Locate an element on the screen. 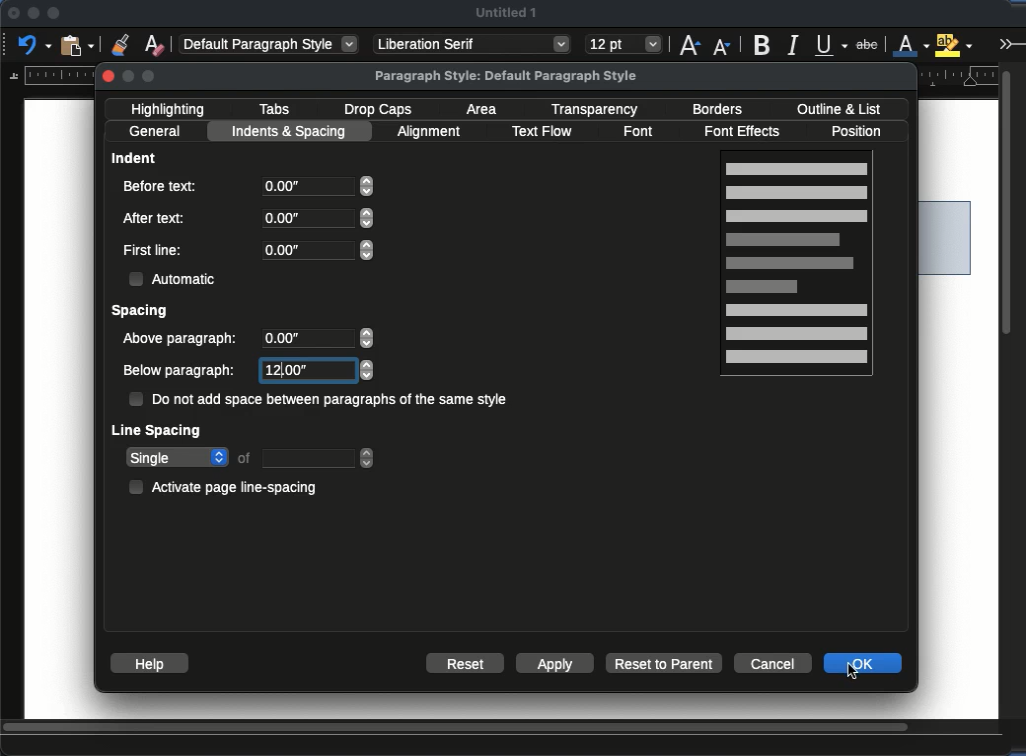 Image resolution: width=1026 pixels, height=756 pixels. guide is located at coordinates (48, 75).